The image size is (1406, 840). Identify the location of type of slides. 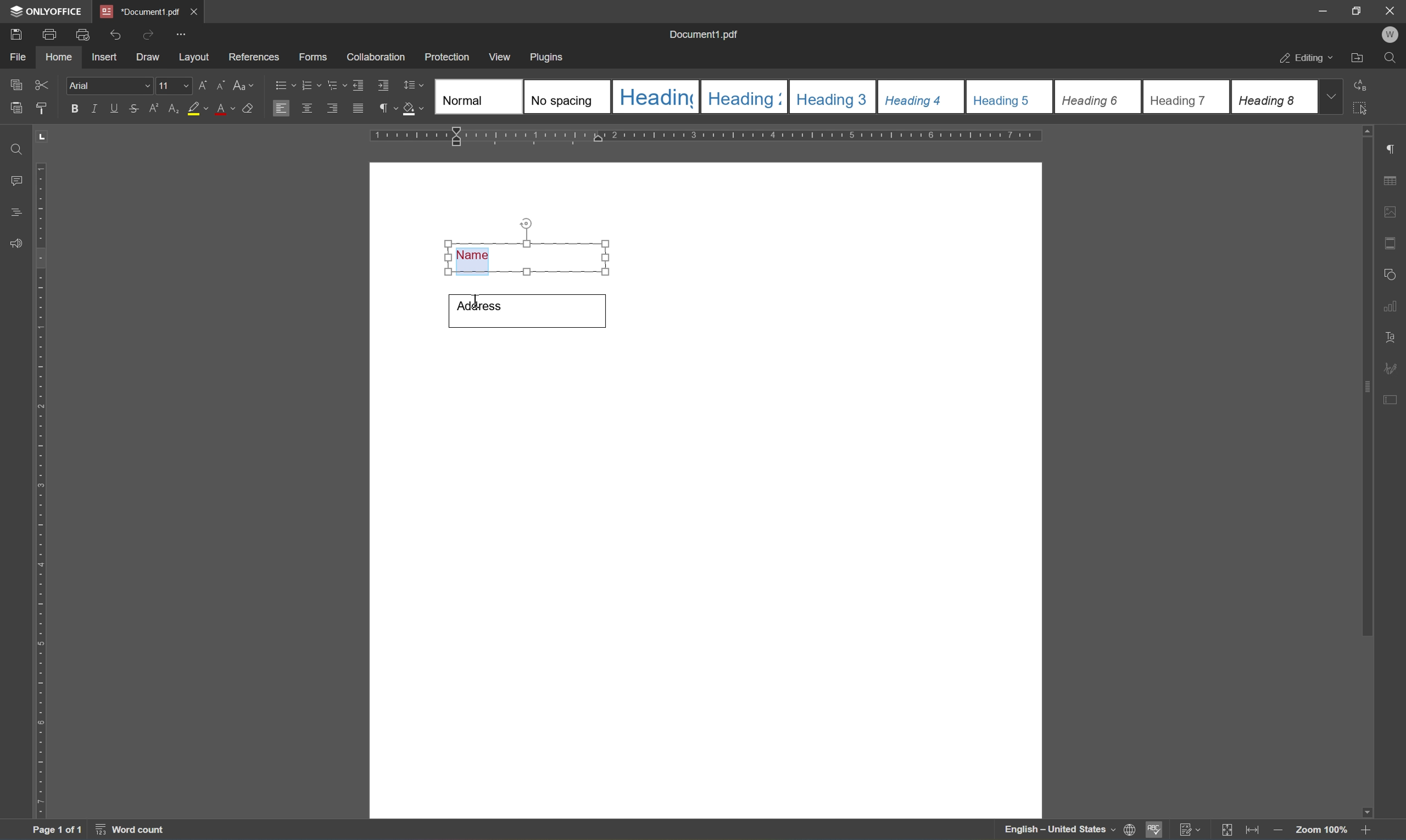
(872, 96).